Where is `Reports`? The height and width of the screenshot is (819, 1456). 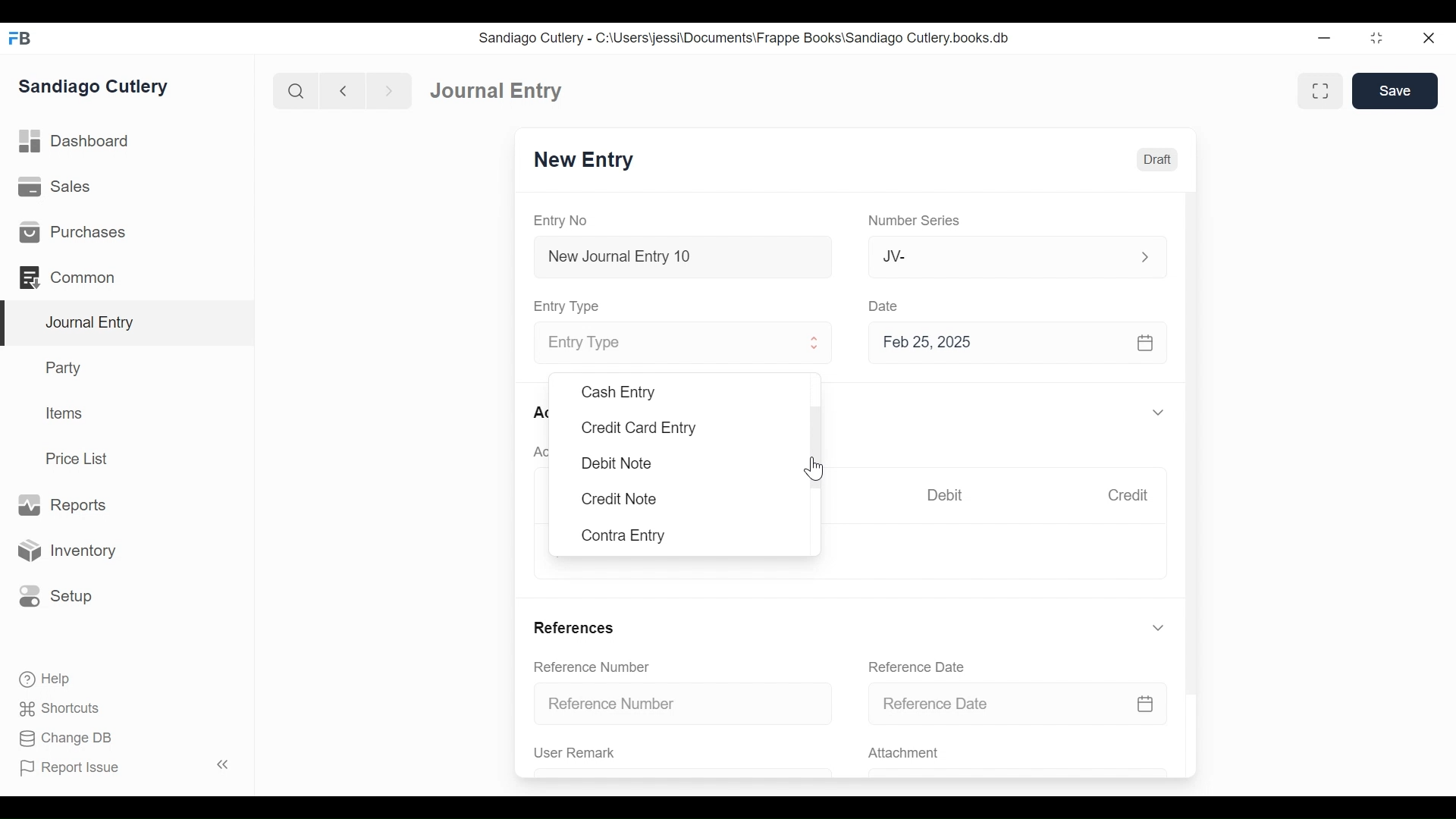 Reports is located at coordinates (61, 504).